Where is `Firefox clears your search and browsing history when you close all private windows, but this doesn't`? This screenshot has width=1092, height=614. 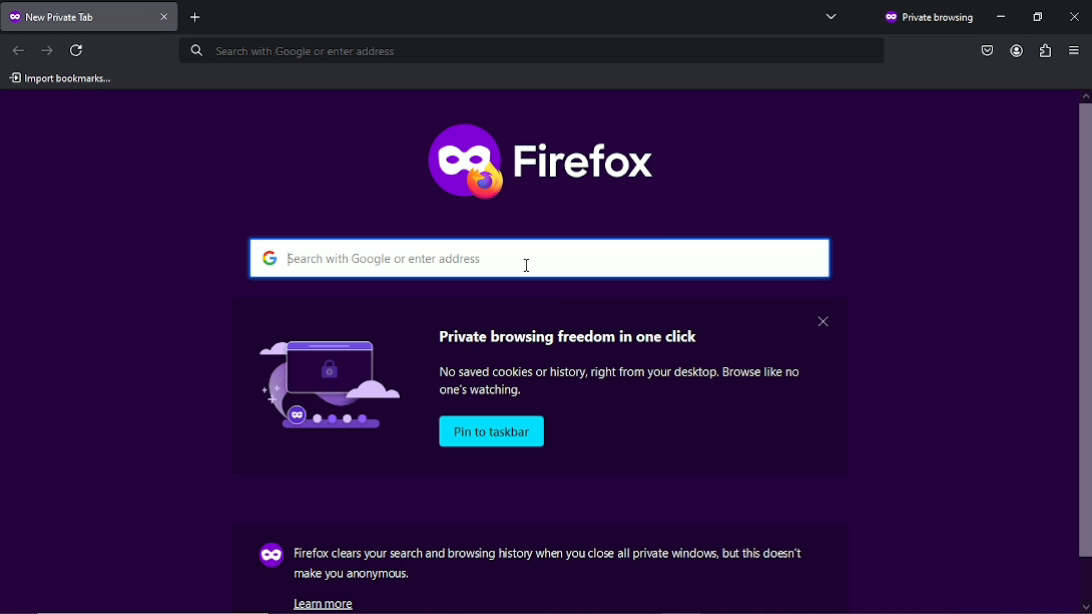 Firefox clears your search and browsing history when you close all private windows, but this doesn't is located at coordinates (549, 553).